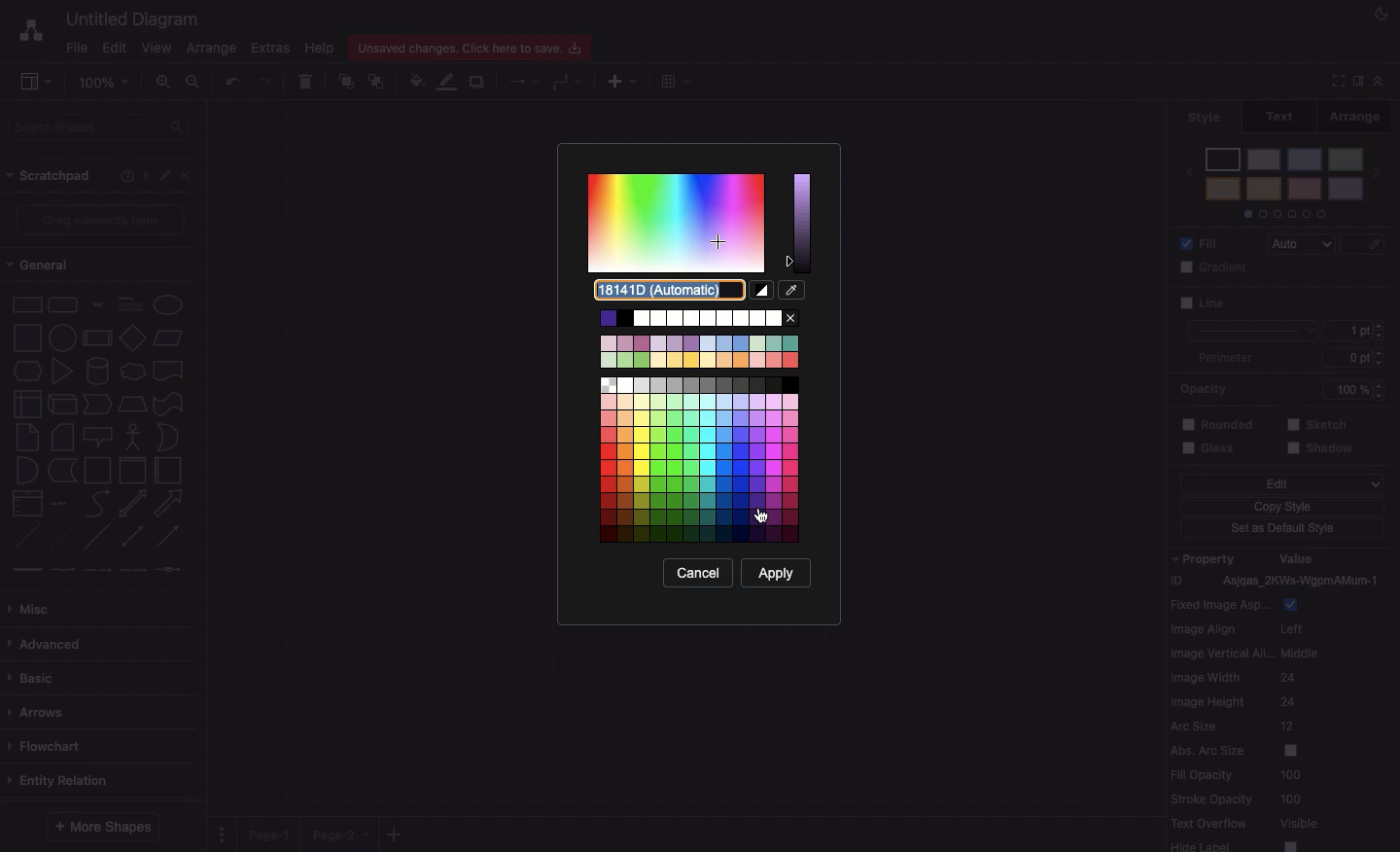  I want to click on Color, so click(1364, 303).